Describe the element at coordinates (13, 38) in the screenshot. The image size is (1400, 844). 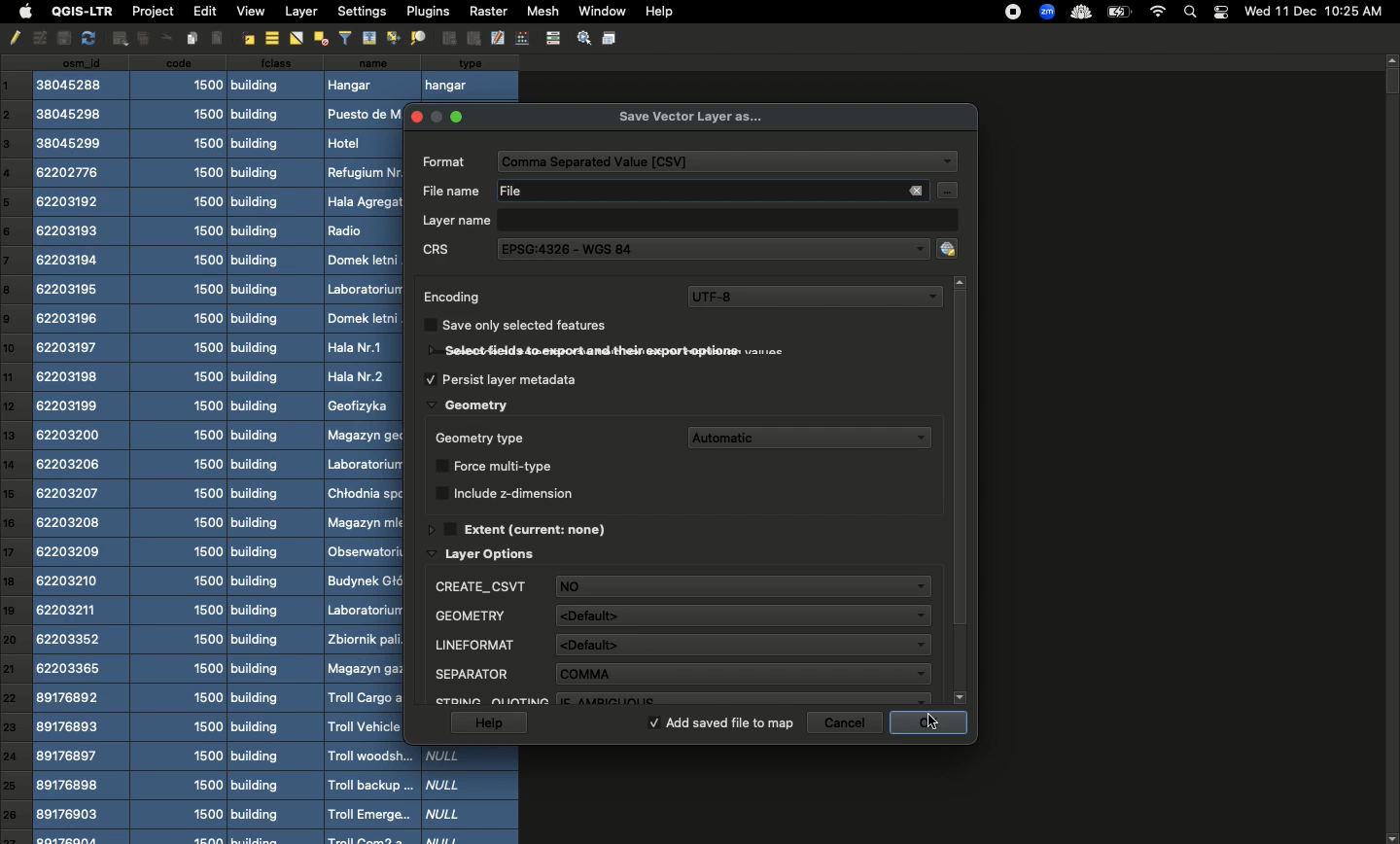
I see `Pencil` at that location.